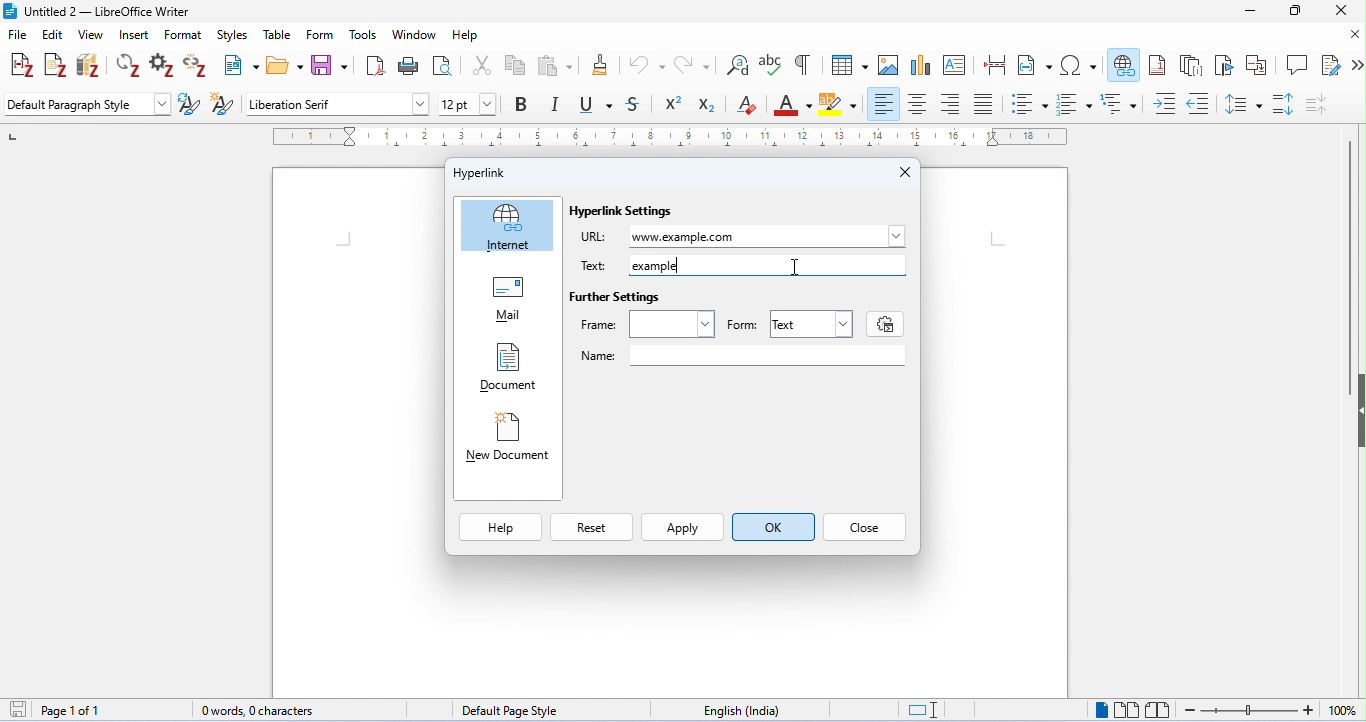 This screenshot has height=722, width=1366. What do you see at coordinates (692, 65) in the screenshot?
I see `redo` at bounding box center [692, 65].